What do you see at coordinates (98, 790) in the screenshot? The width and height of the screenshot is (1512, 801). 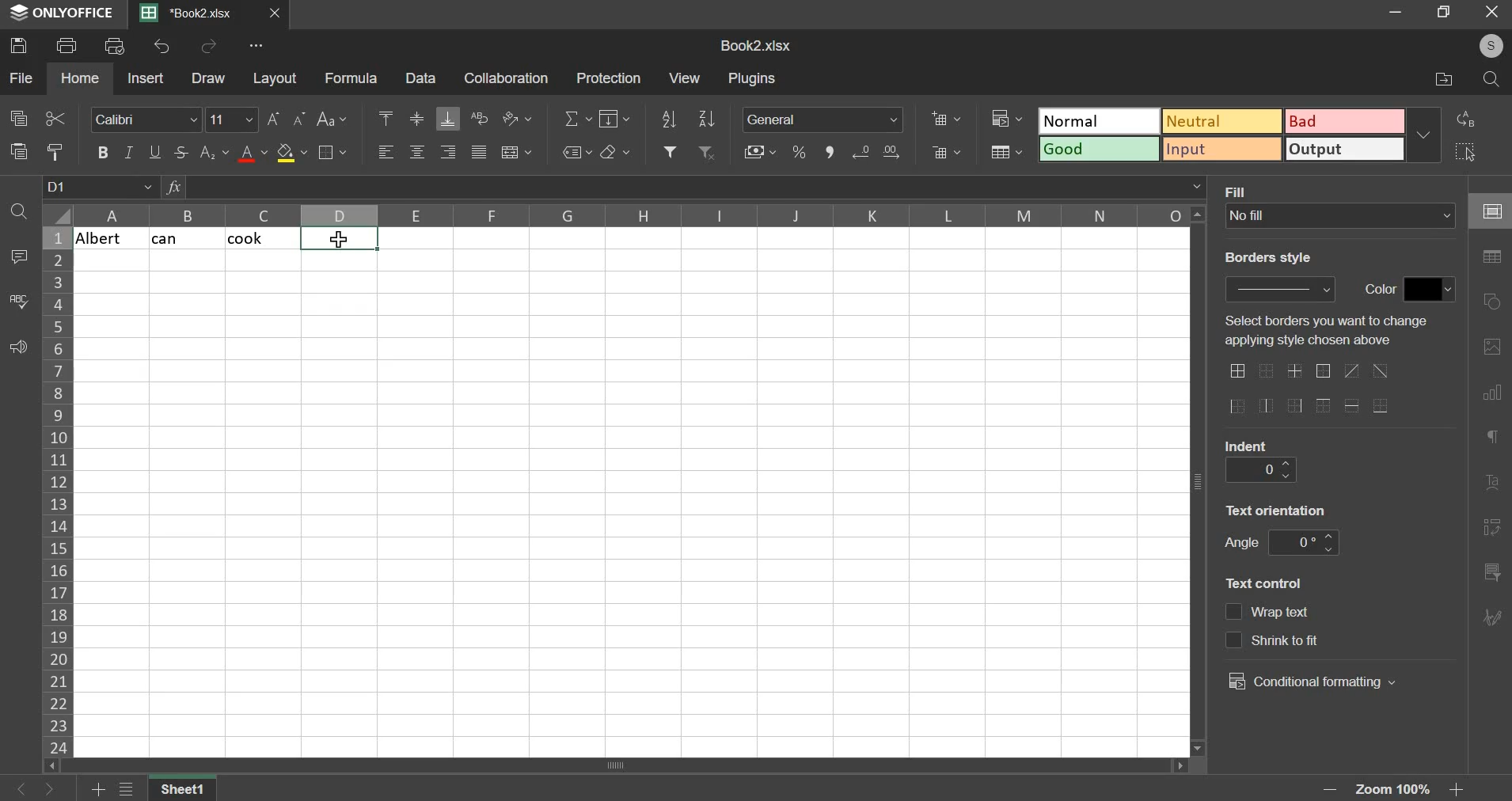 I see `add sheets` at bounding box center [98, 790].